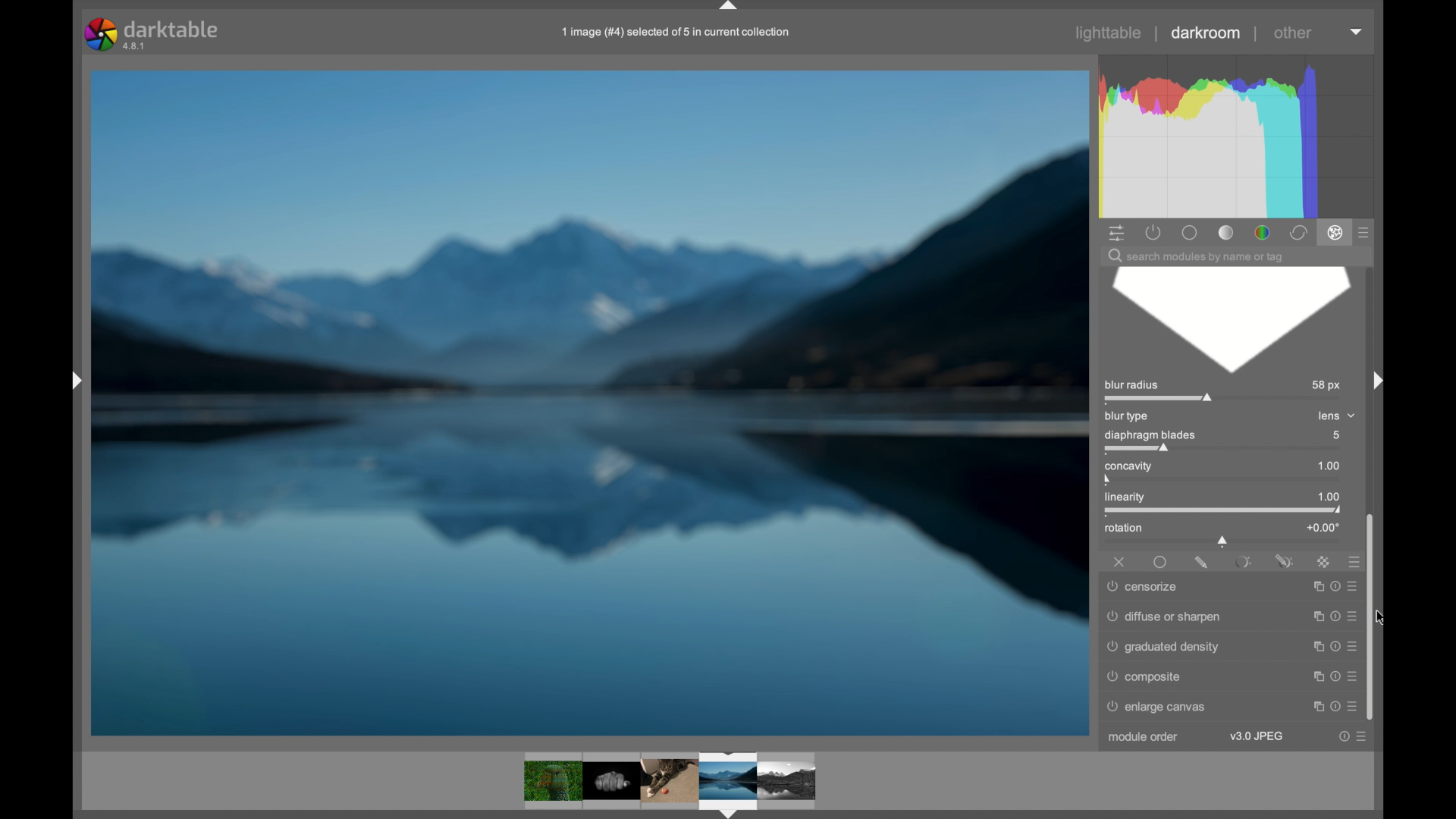 This screenshot has height=819, width=1456. I want to click on maximize, so click(1313, 674).